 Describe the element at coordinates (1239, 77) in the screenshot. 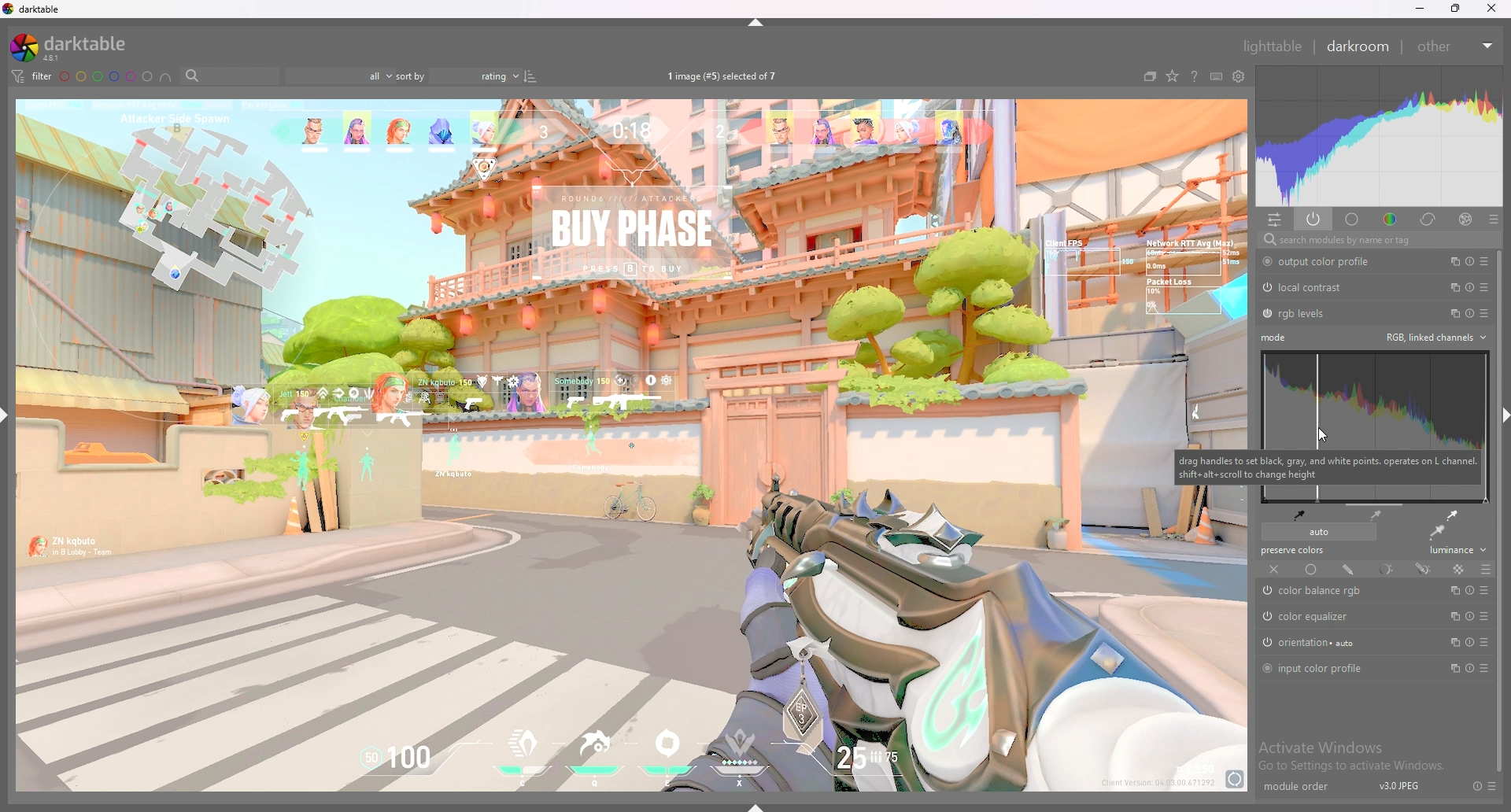

I see `show global preferences` at that location.